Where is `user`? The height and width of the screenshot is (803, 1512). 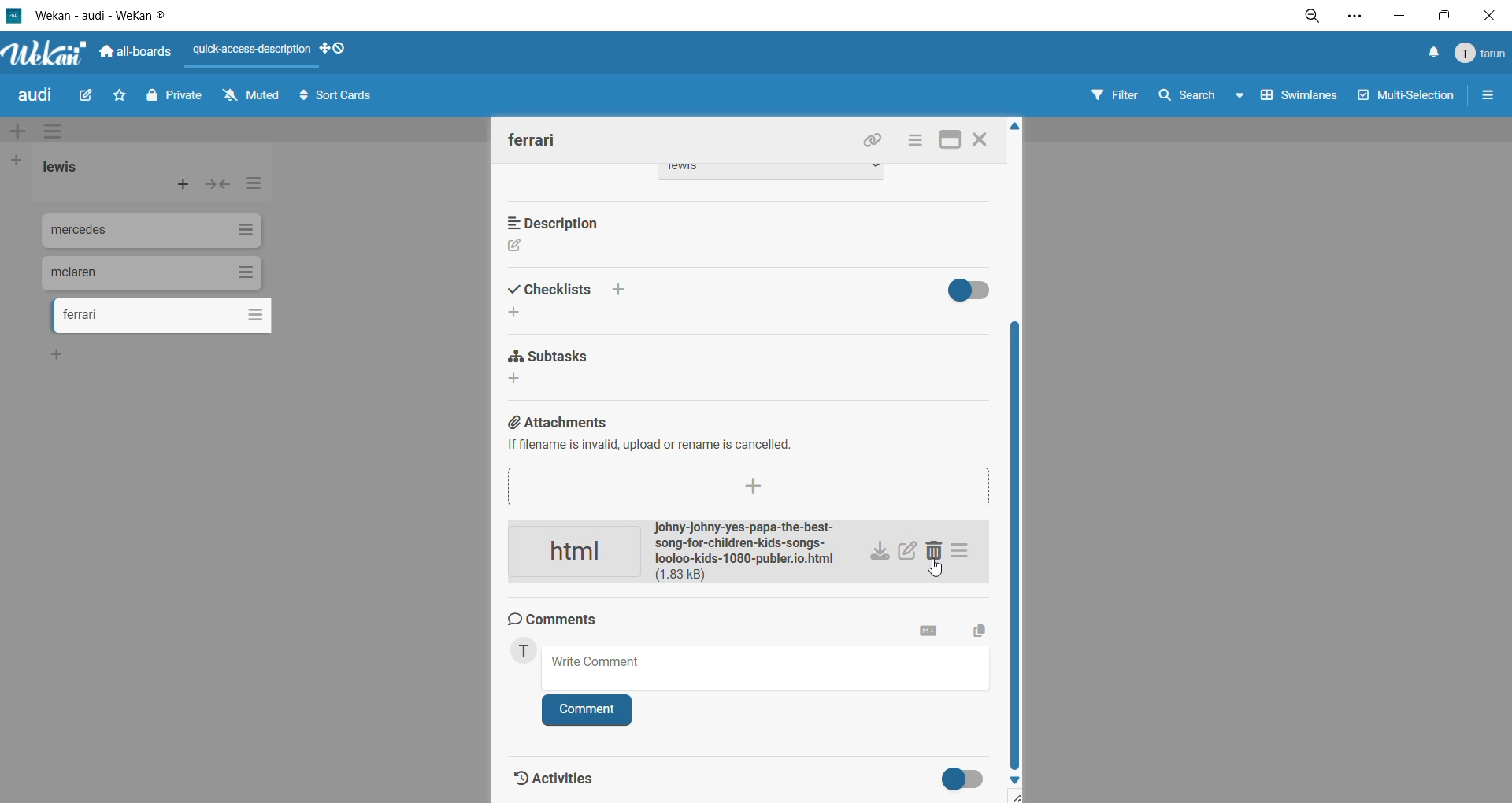
user is located at coordinates (528, 654).